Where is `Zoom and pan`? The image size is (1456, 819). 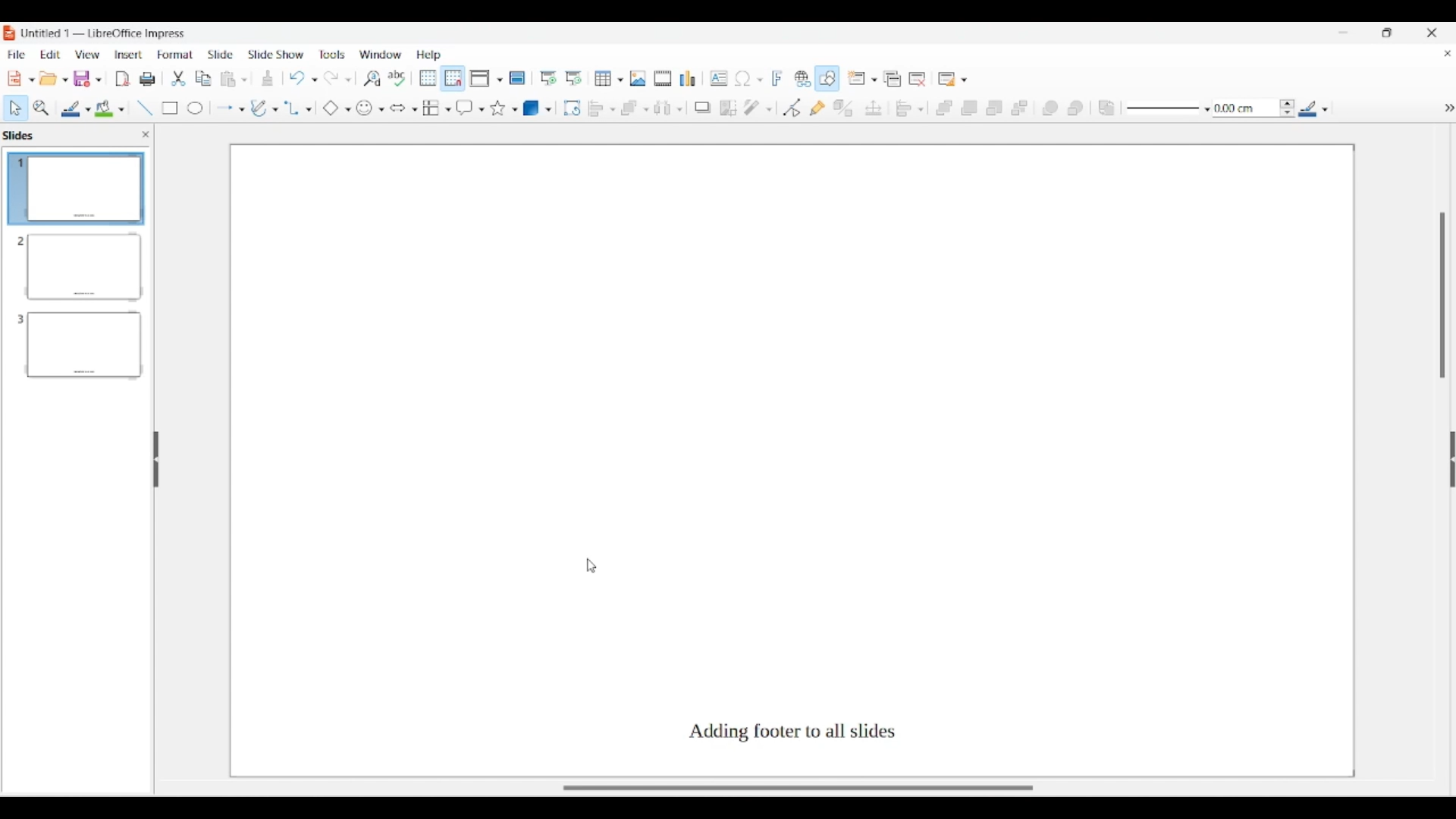 Zoom and pan is located at coordinates (42, 108).